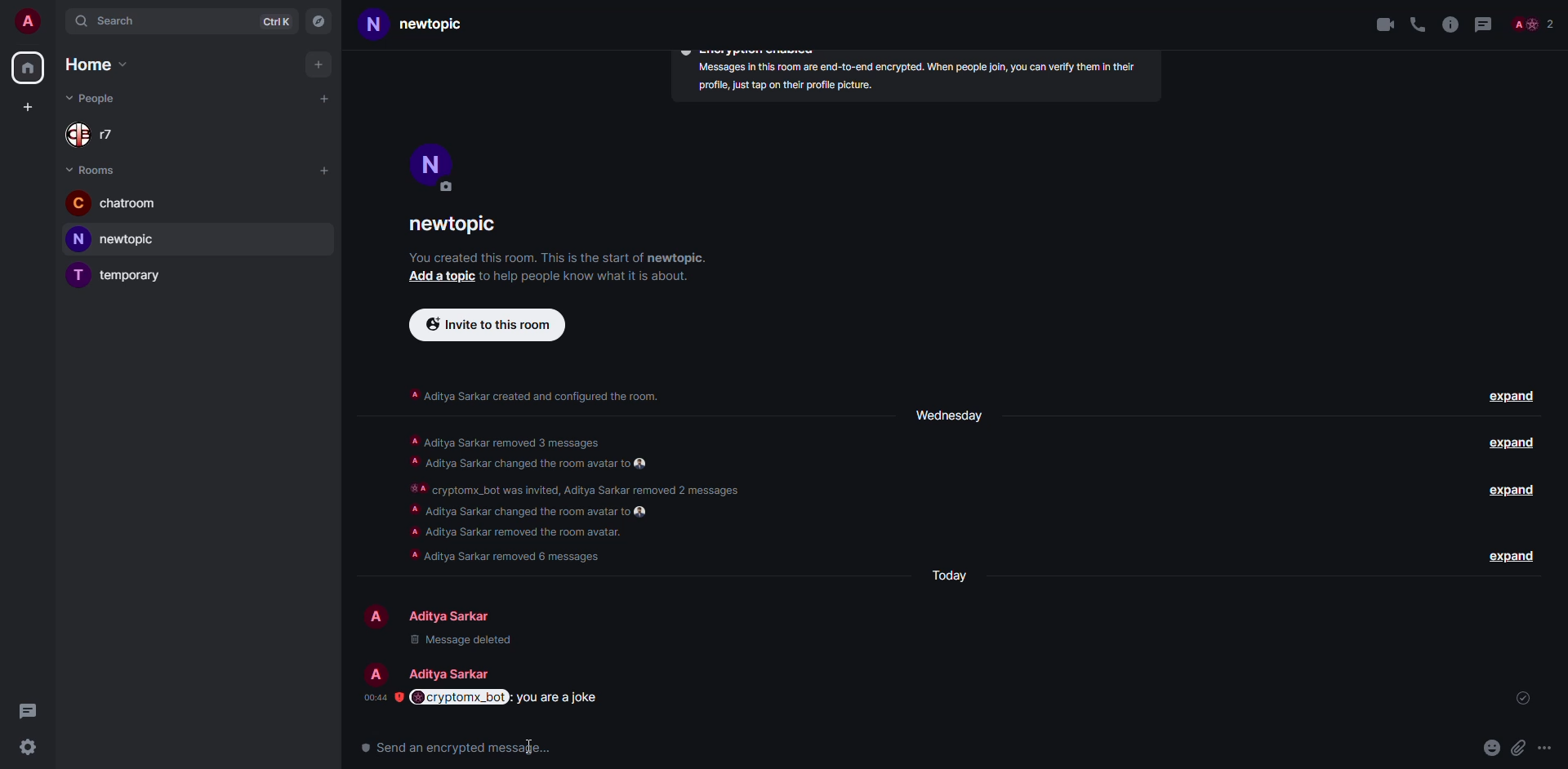 This screenshot has width=1568, height=769. I want to click on Aditya Sarkar, so click(429, 671).